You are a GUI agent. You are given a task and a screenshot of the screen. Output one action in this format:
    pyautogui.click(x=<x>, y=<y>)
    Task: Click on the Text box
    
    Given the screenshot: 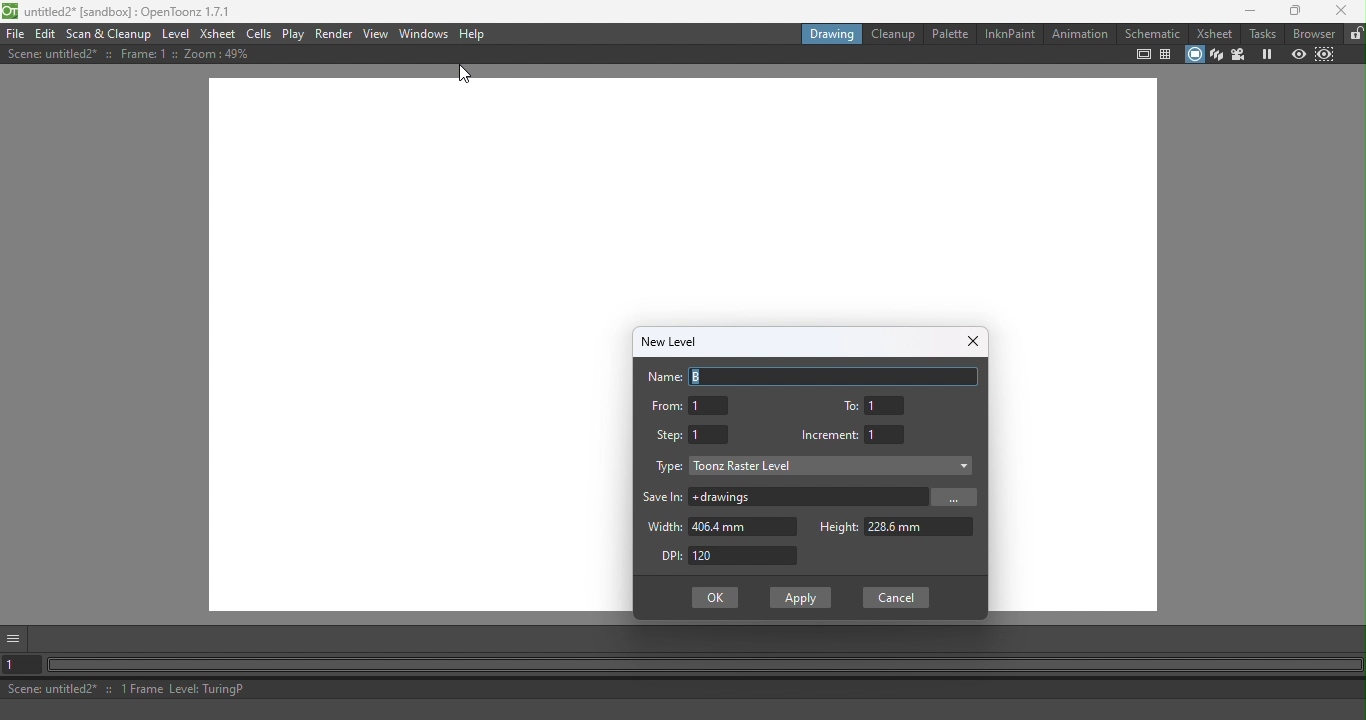 What is the action you would take?
    pyautogui.click(x=834, y=377)
    